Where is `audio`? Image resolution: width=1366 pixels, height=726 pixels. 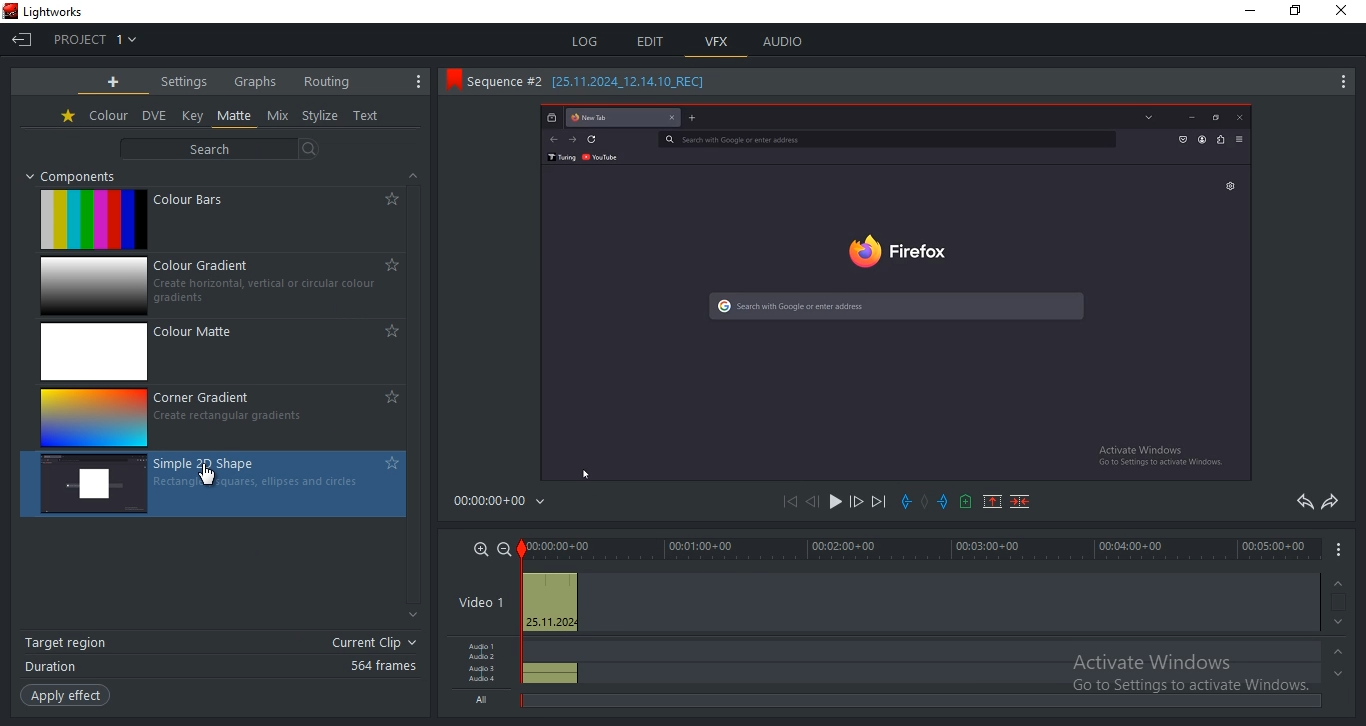
audio is located at coordinates (548, 662).